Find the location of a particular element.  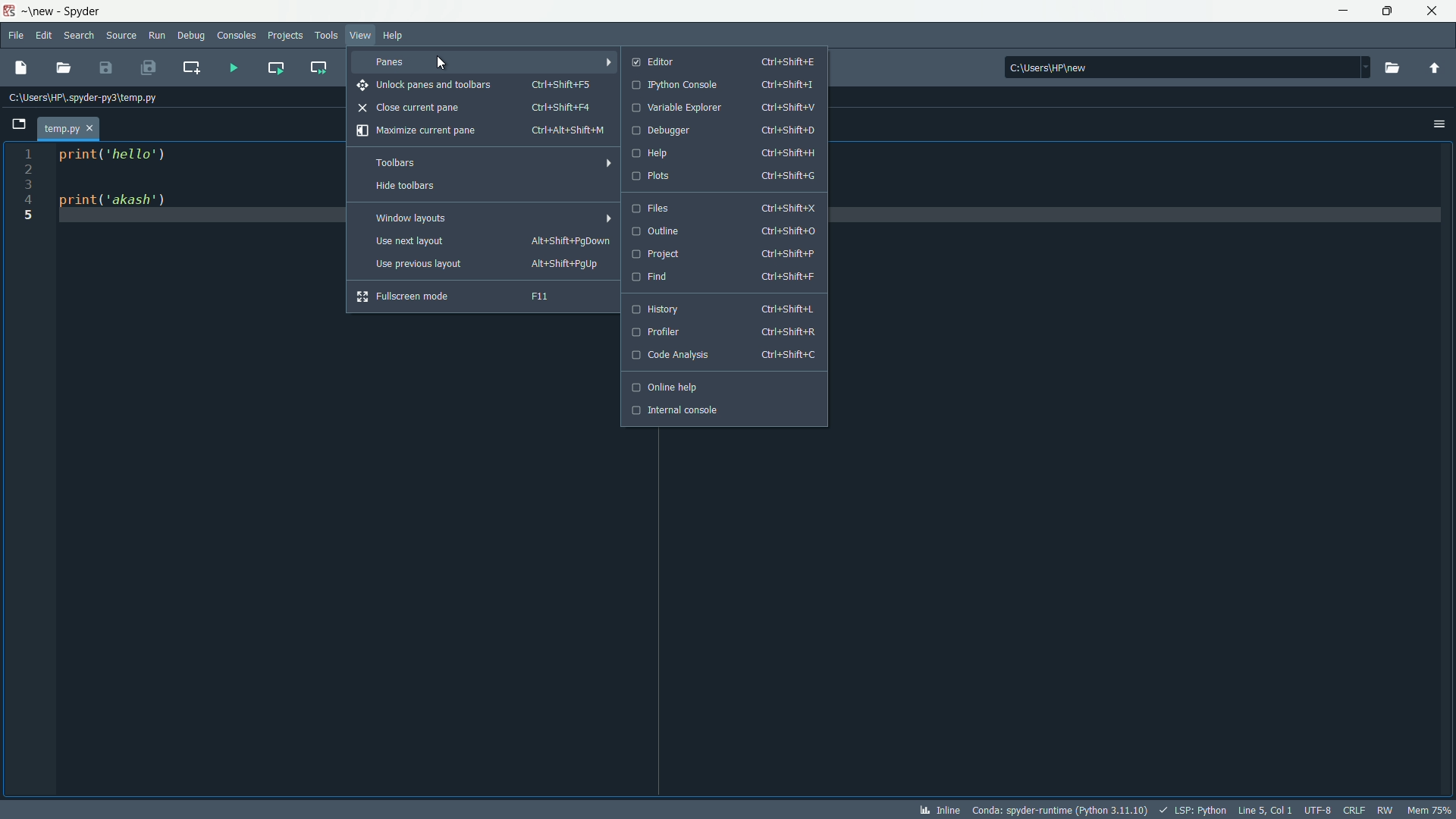

current file tab is located at coordinates (71, 128).